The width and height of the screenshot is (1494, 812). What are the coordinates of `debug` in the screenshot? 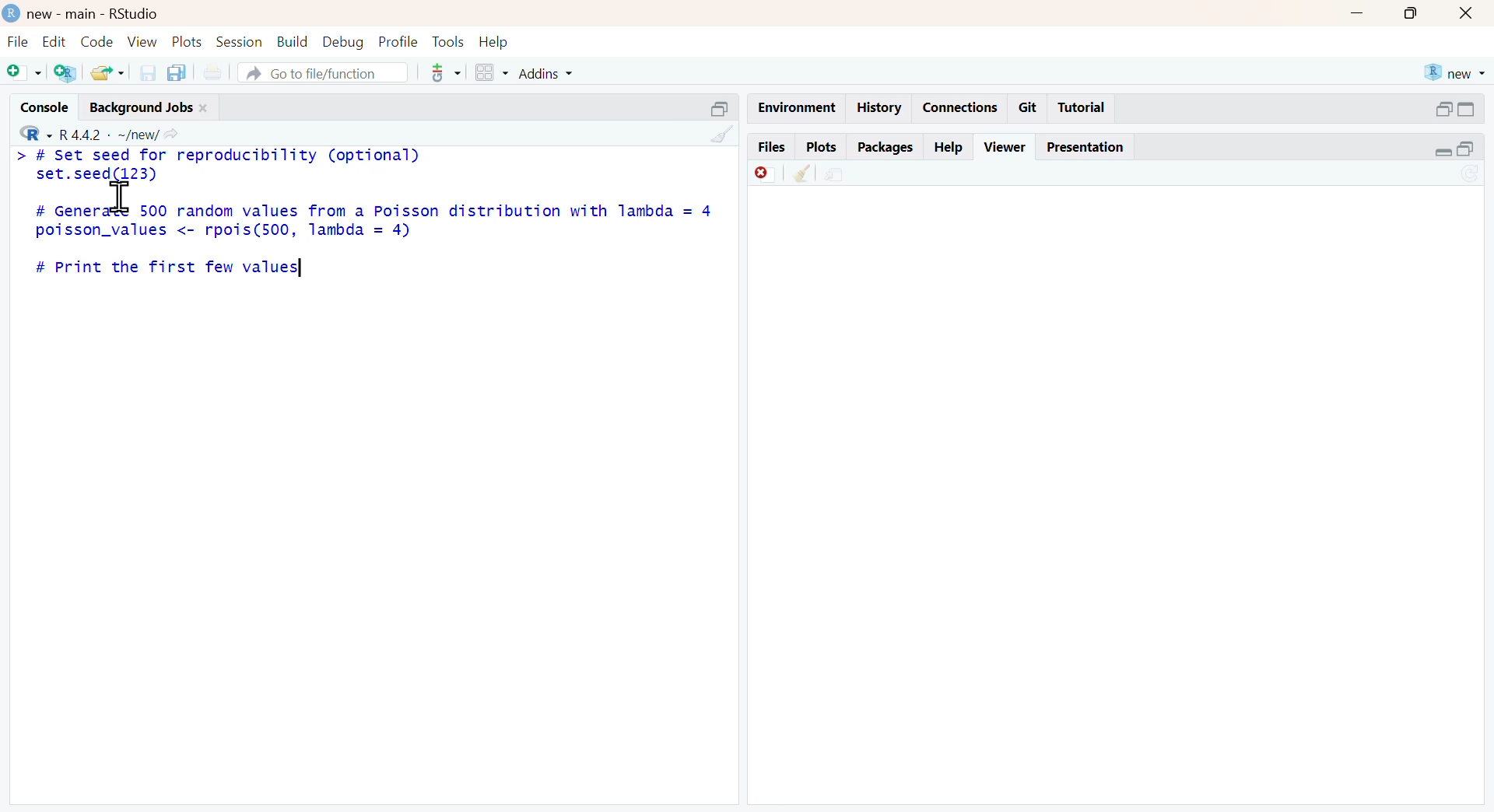 It's located at (345, 42).